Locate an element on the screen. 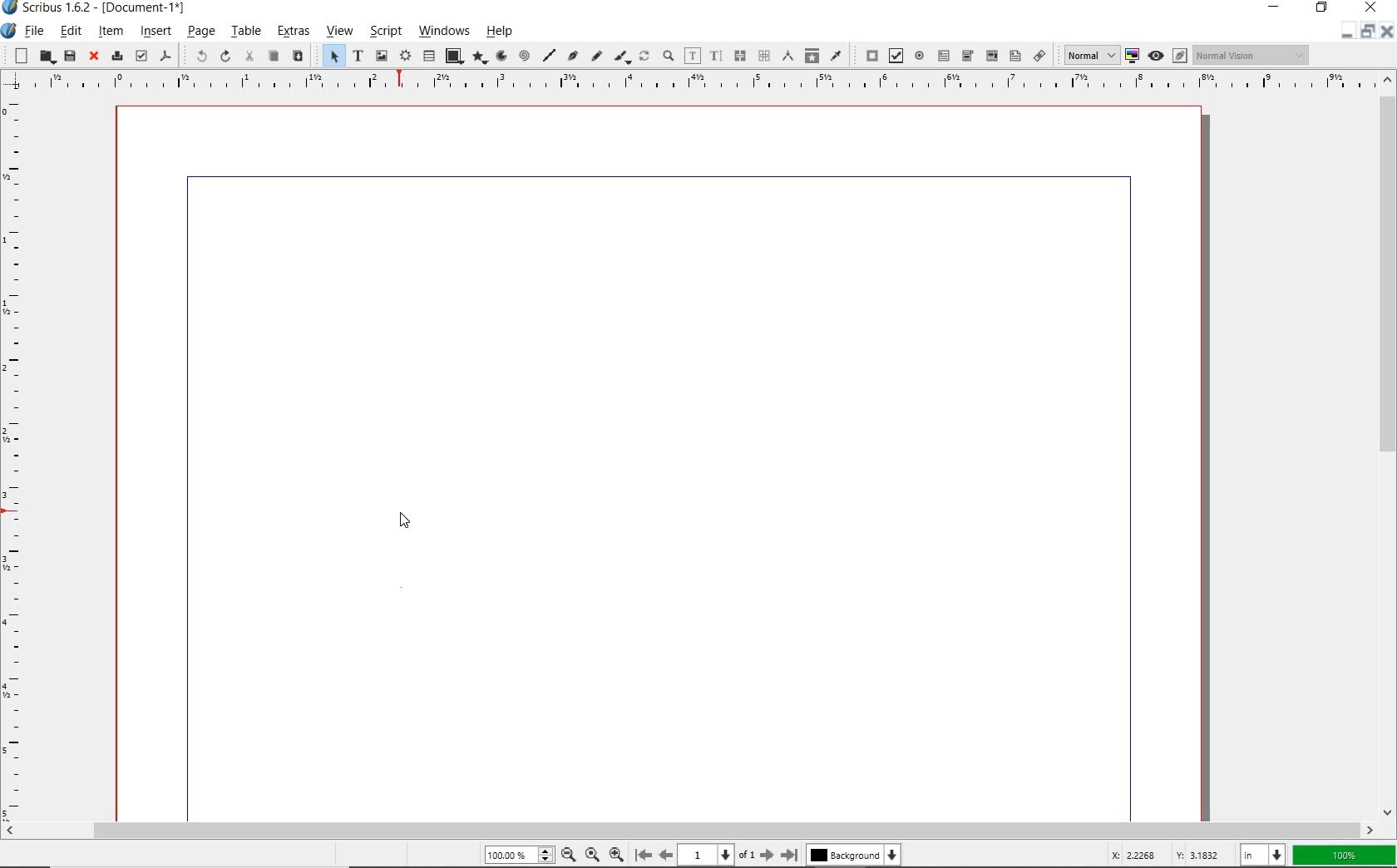  scrollbar is located at coordinates (1387, 445).